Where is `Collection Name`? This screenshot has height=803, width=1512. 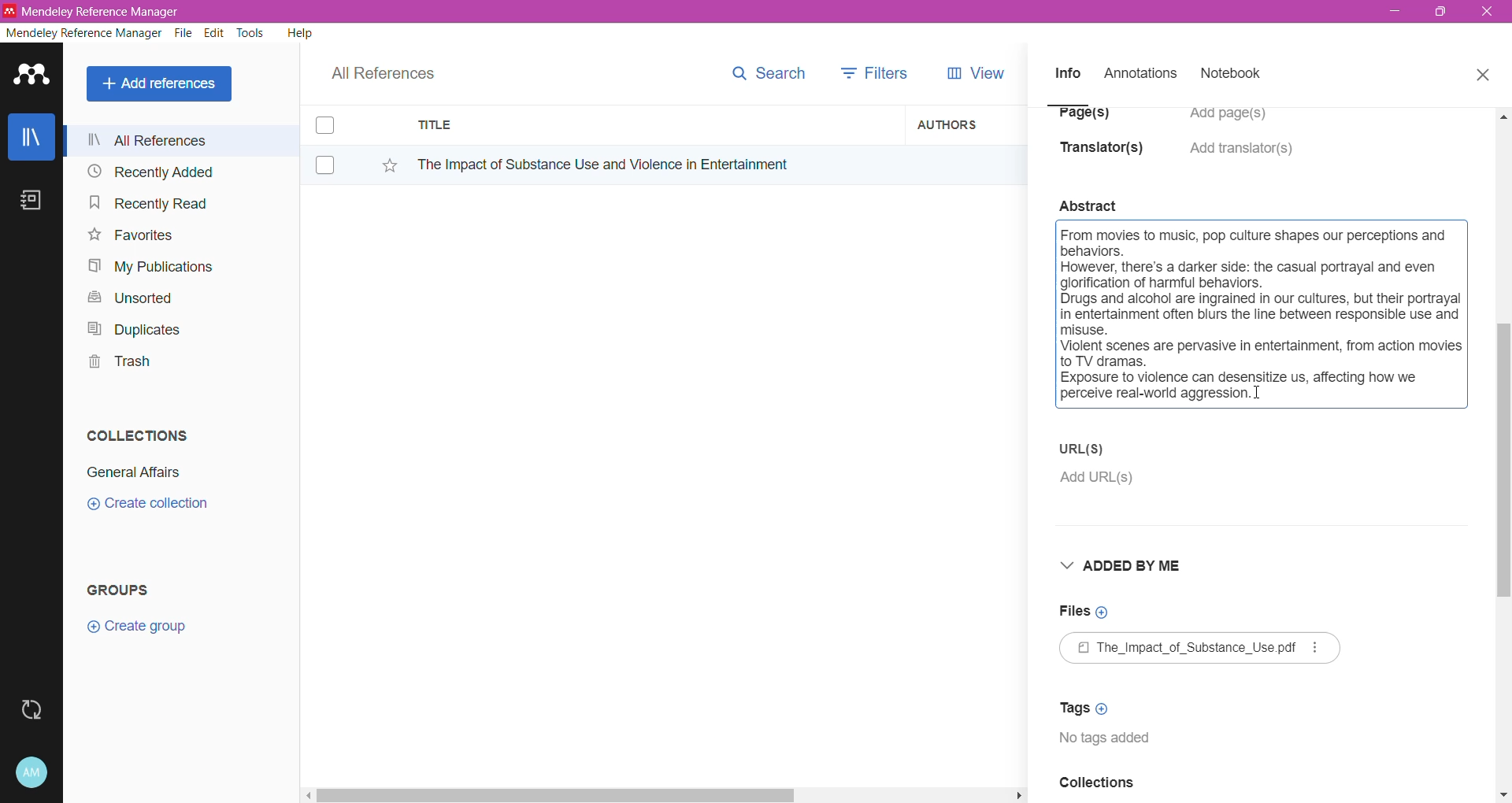 Collection Name is located at coordinates (131, 472).